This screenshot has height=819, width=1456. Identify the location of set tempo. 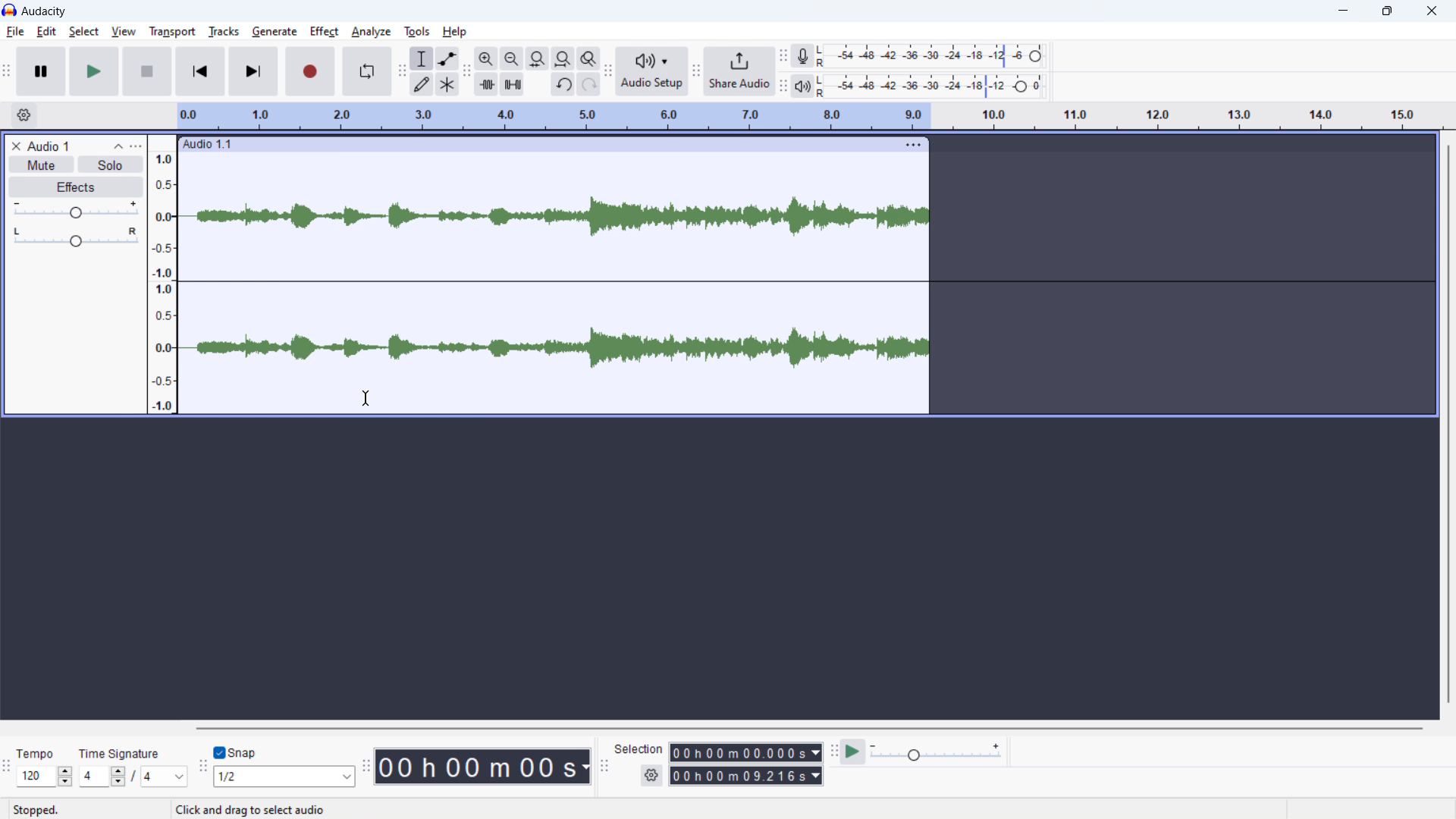
(44, 777).